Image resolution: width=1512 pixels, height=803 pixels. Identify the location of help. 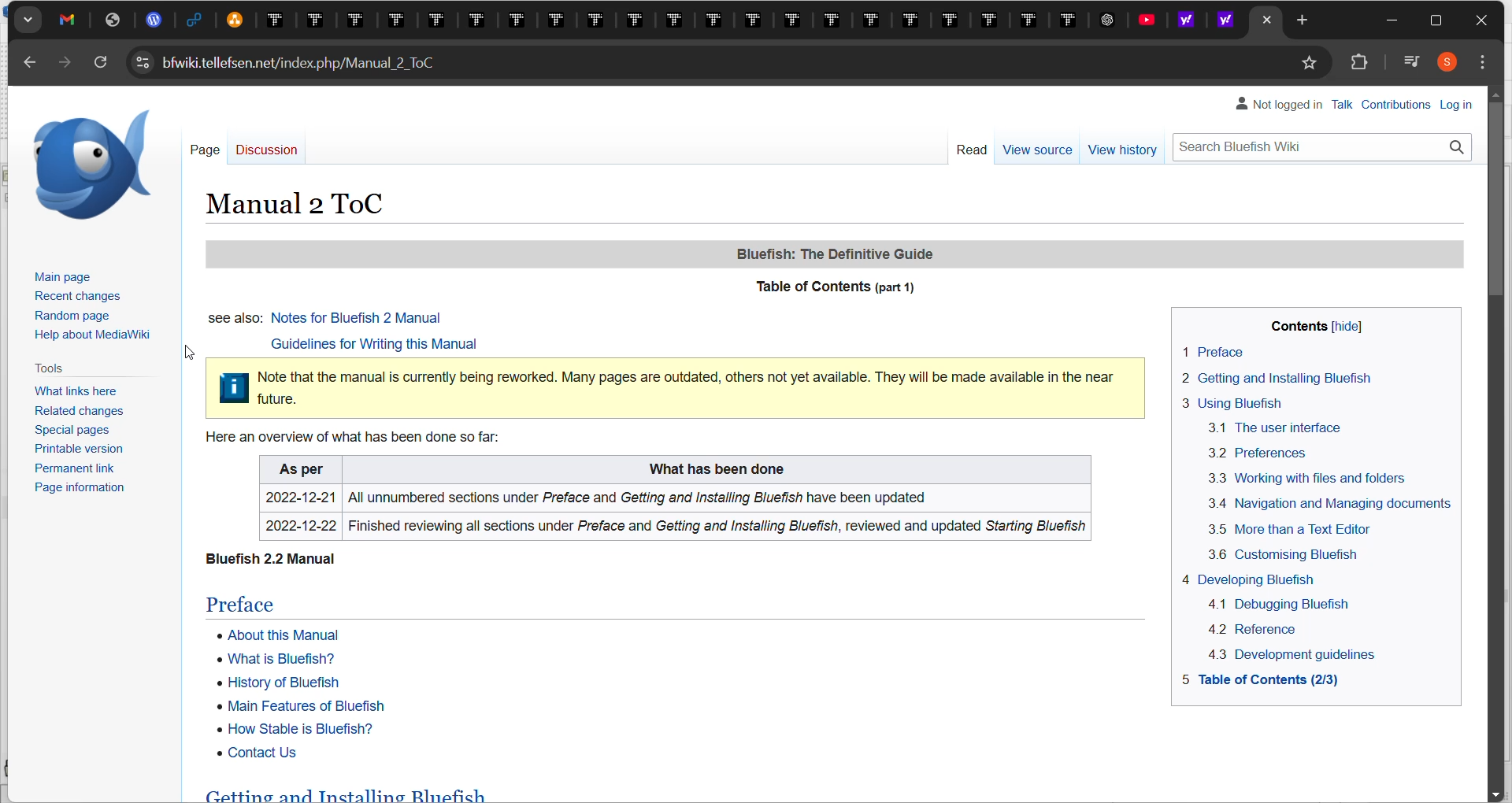
(94, 338).